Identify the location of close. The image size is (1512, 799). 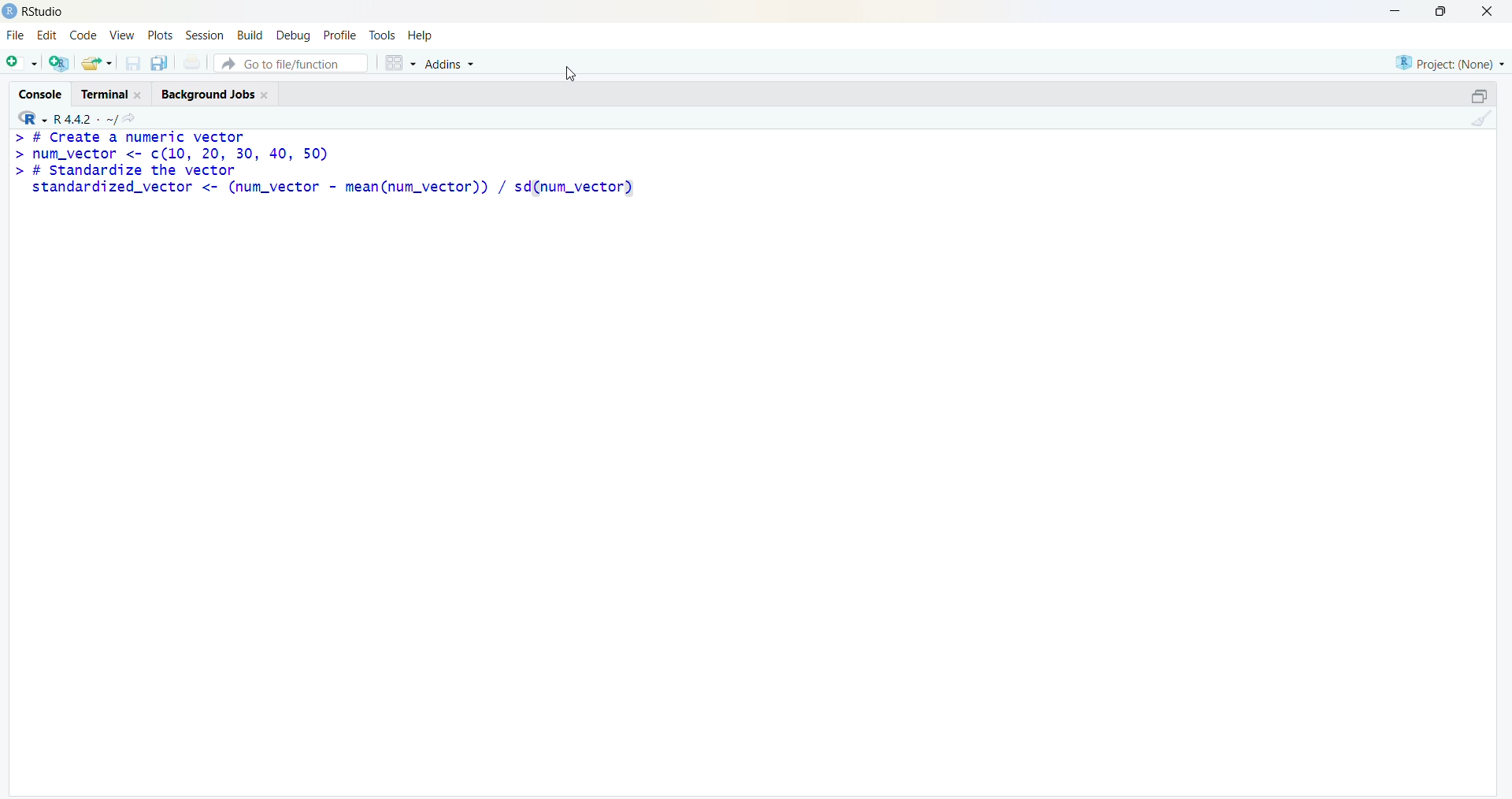
(265, 95).